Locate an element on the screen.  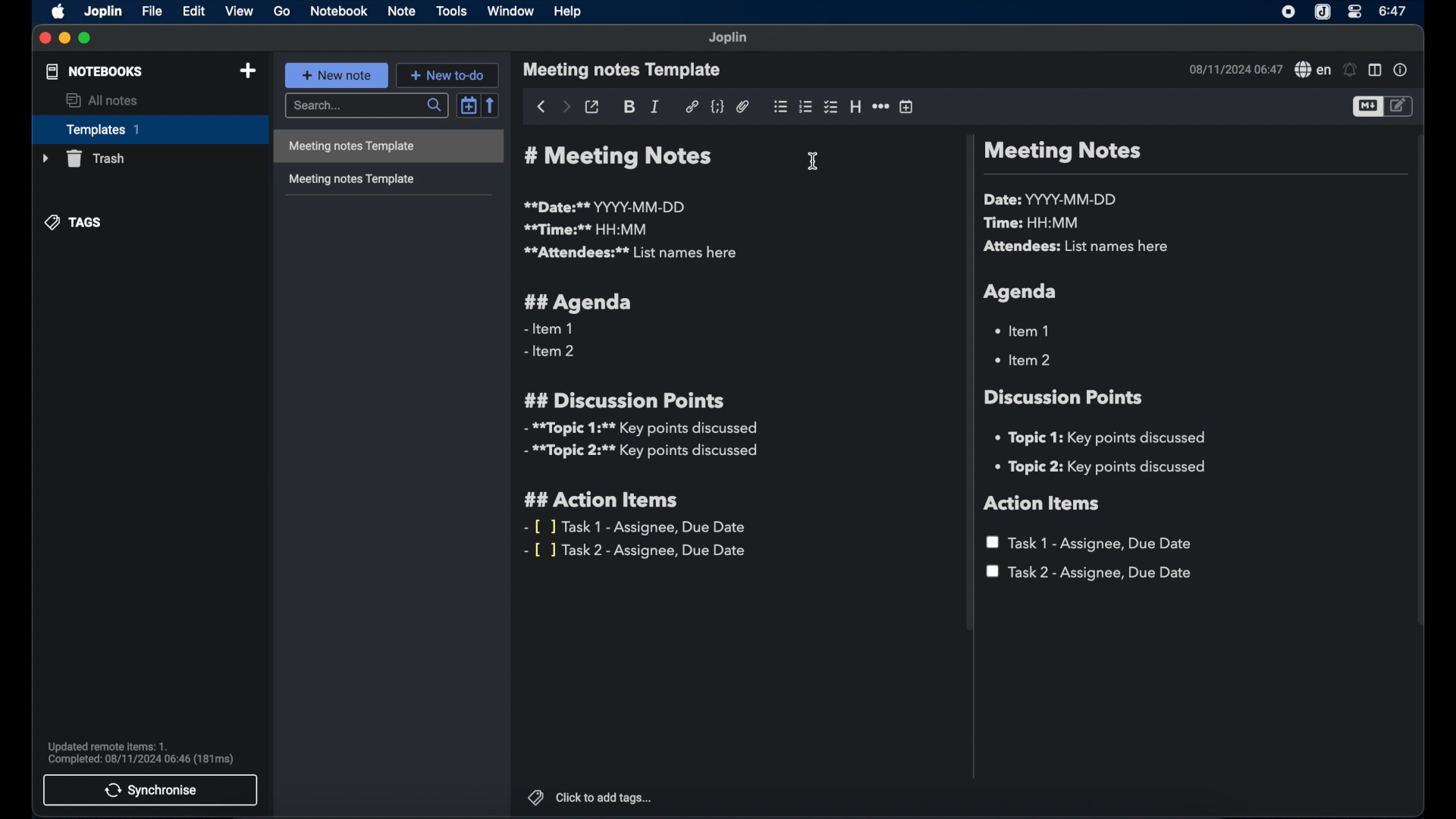
item 2 is located at coordinates (1025, 359).